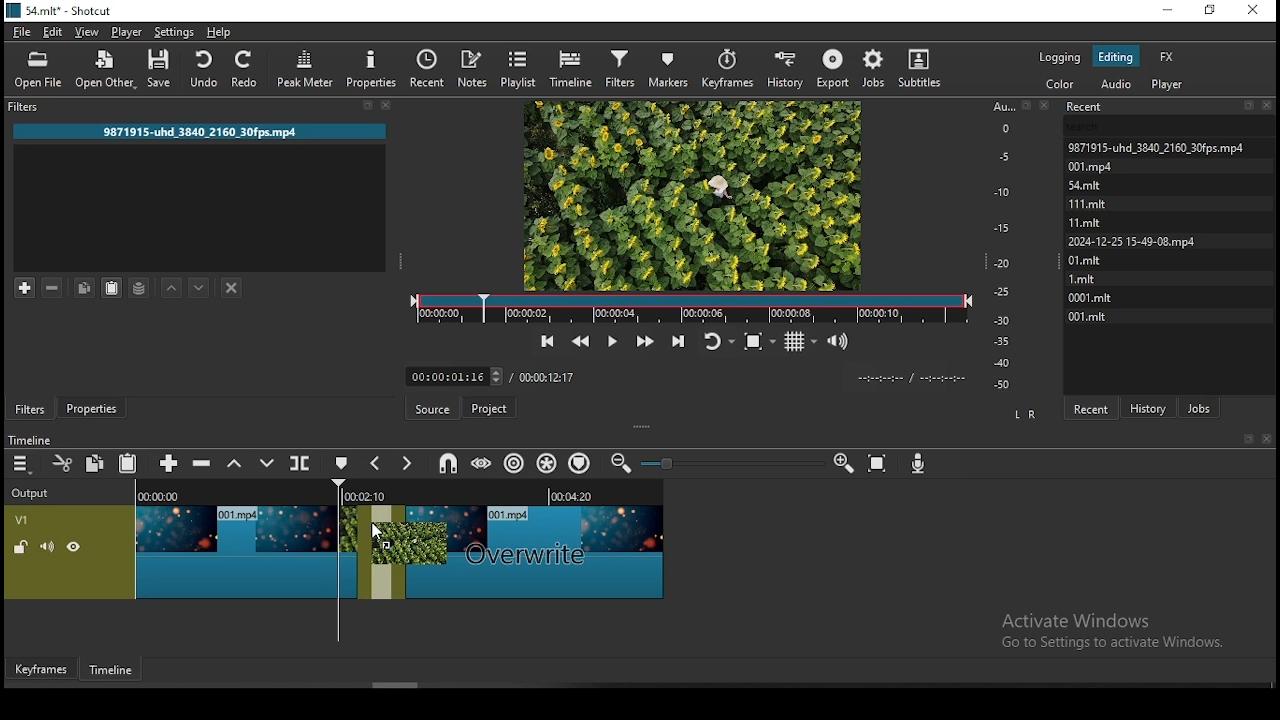  I want to click on fx, so click(1166, 59).